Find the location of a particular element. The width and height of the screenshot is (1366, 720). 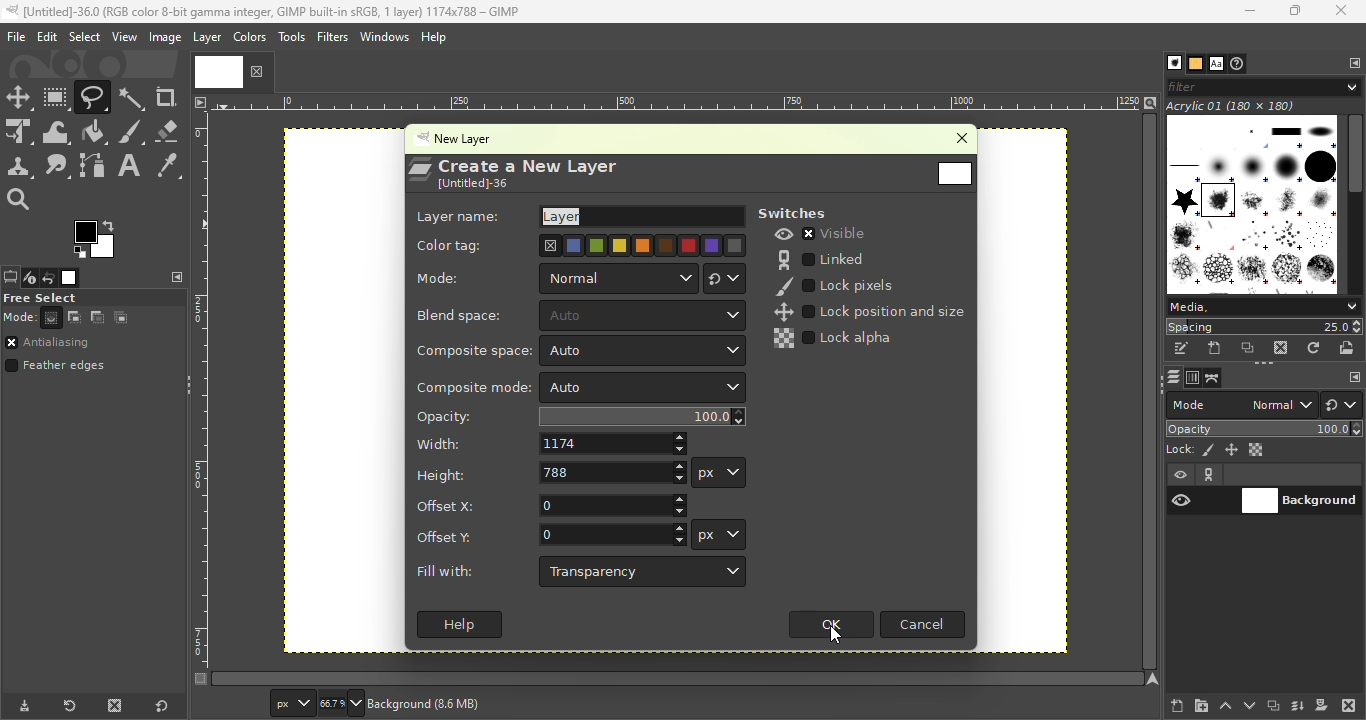

Wrap transform is located at coordinates (56, 132).